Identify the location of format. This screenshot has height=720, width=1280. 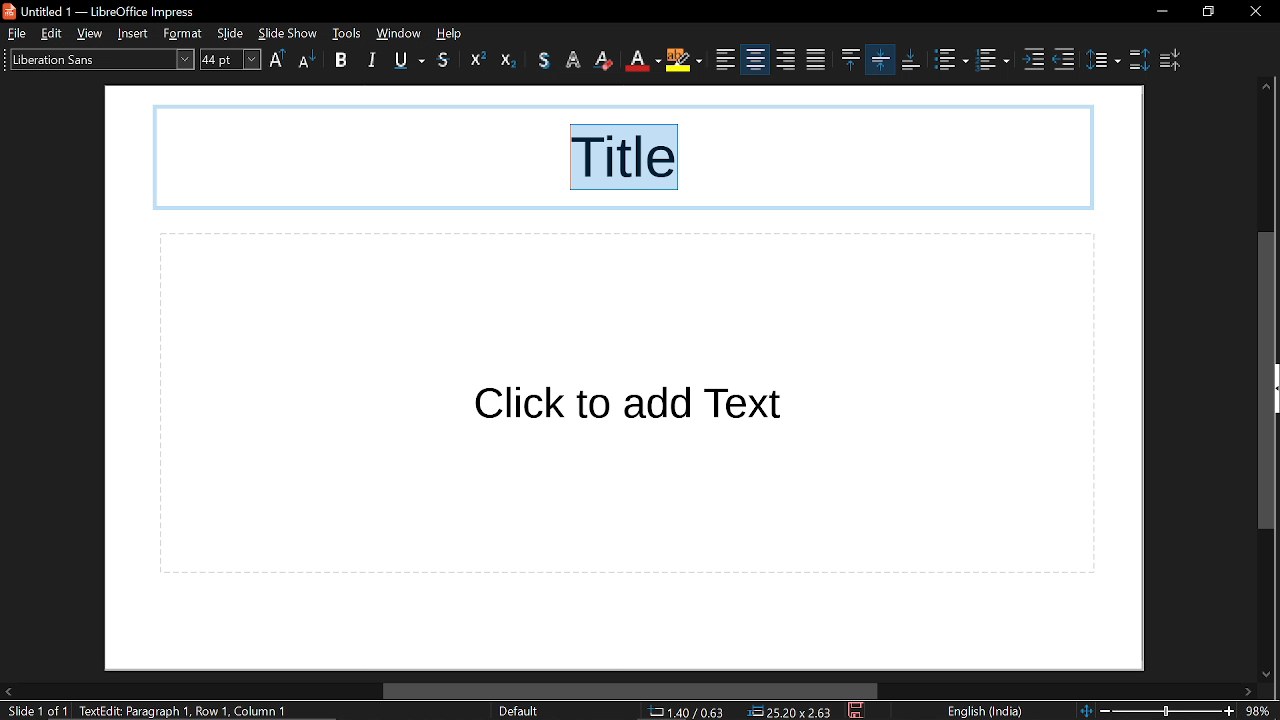
(186, 34).